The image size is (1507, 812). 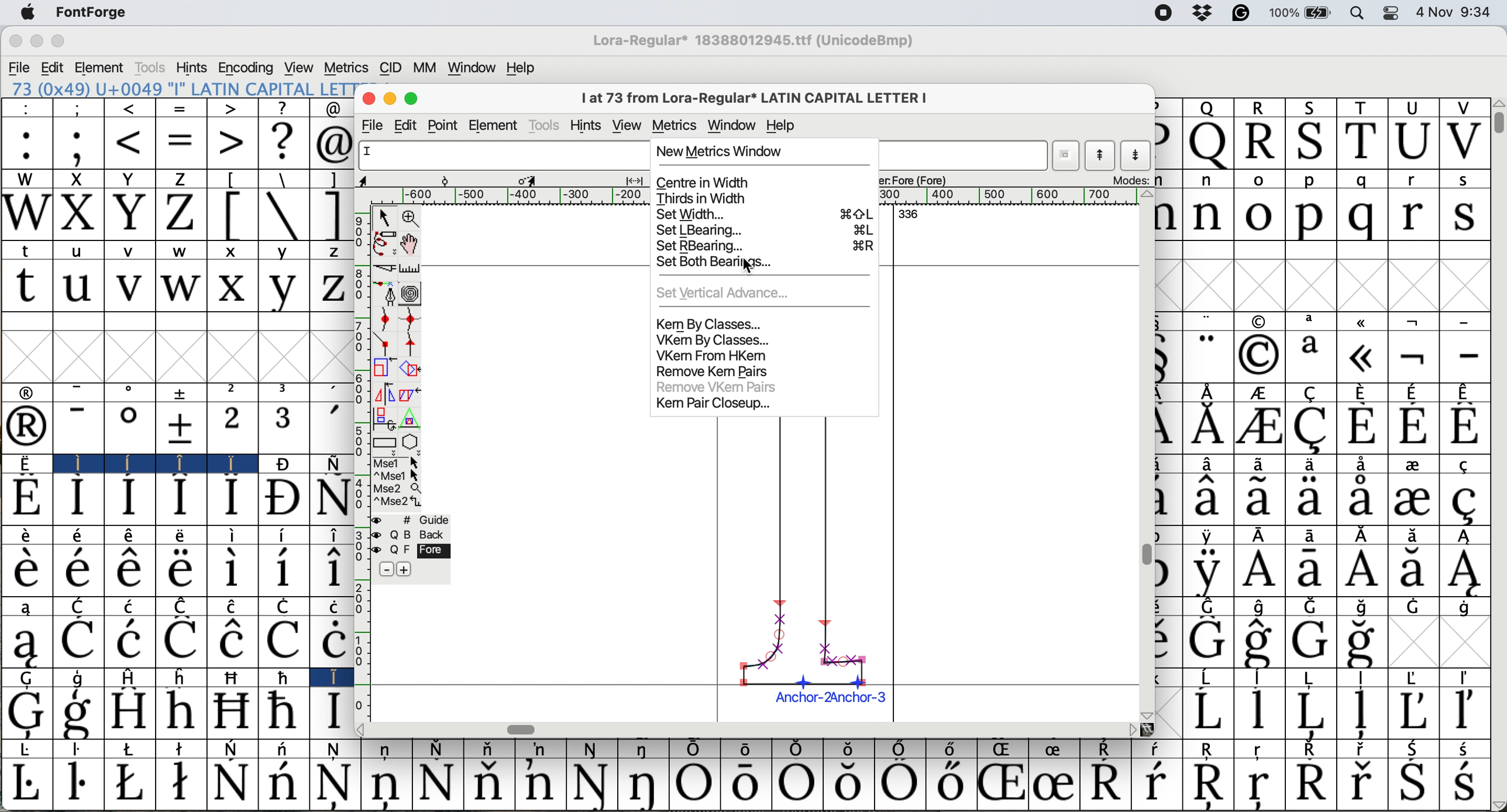 What do you see at coordinates (383, 393) in the screenshot?
I see `flip the selection` at bounding box center [383, 393].